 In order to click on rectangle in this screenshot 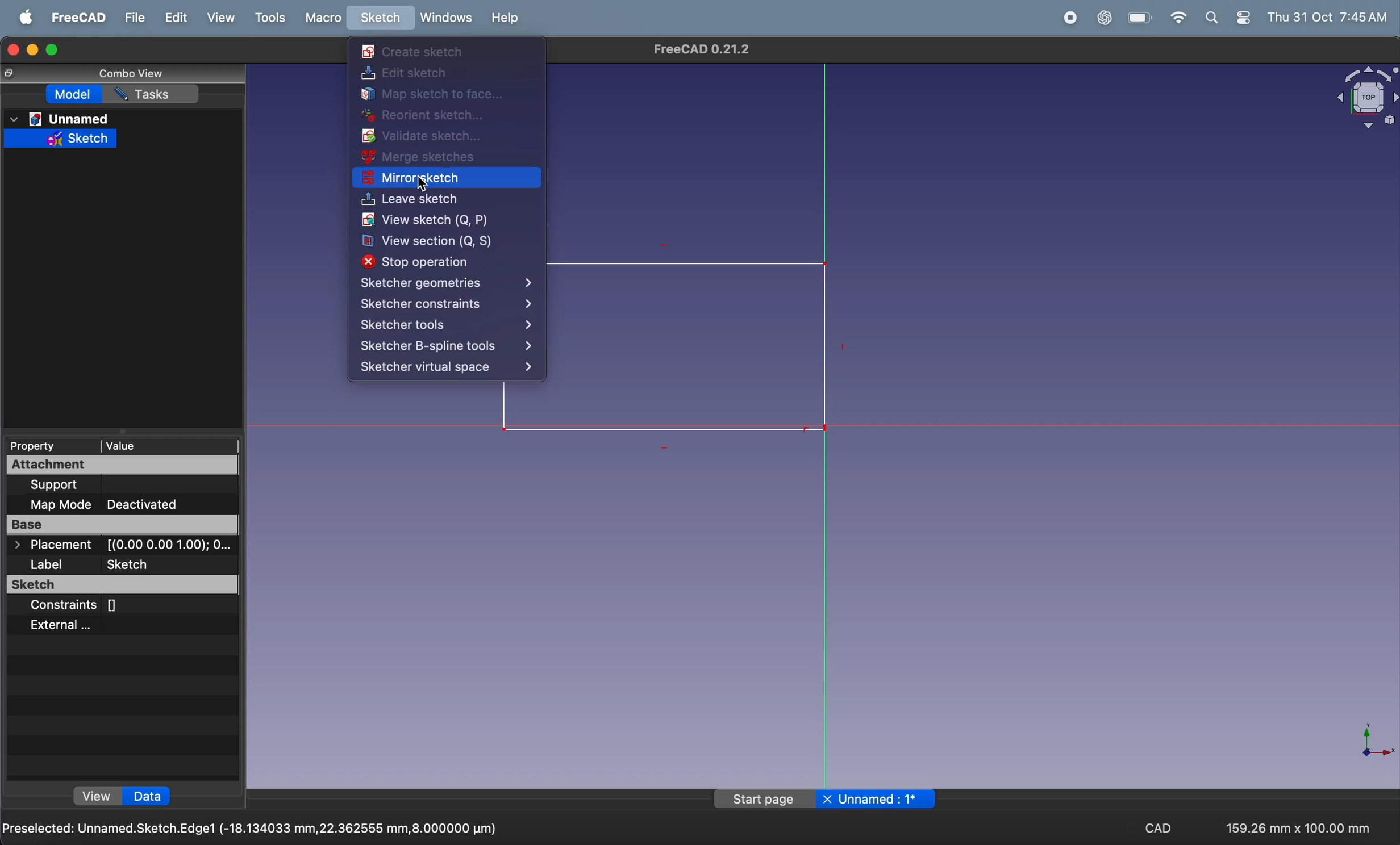, I will do `click(693, 348)`.